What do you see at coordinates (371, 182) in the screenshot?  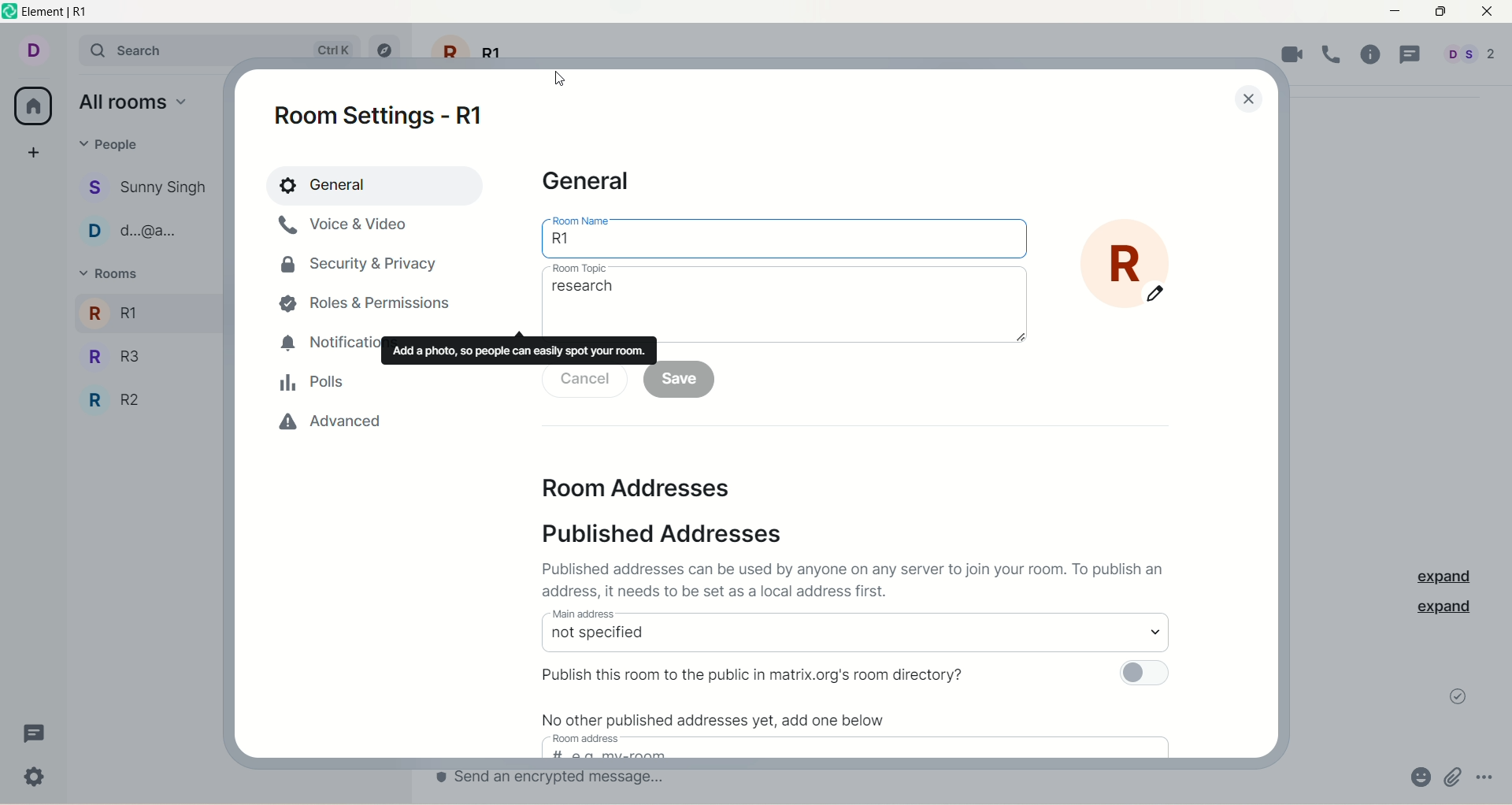 I see `general` at bounding box center [371, 182].